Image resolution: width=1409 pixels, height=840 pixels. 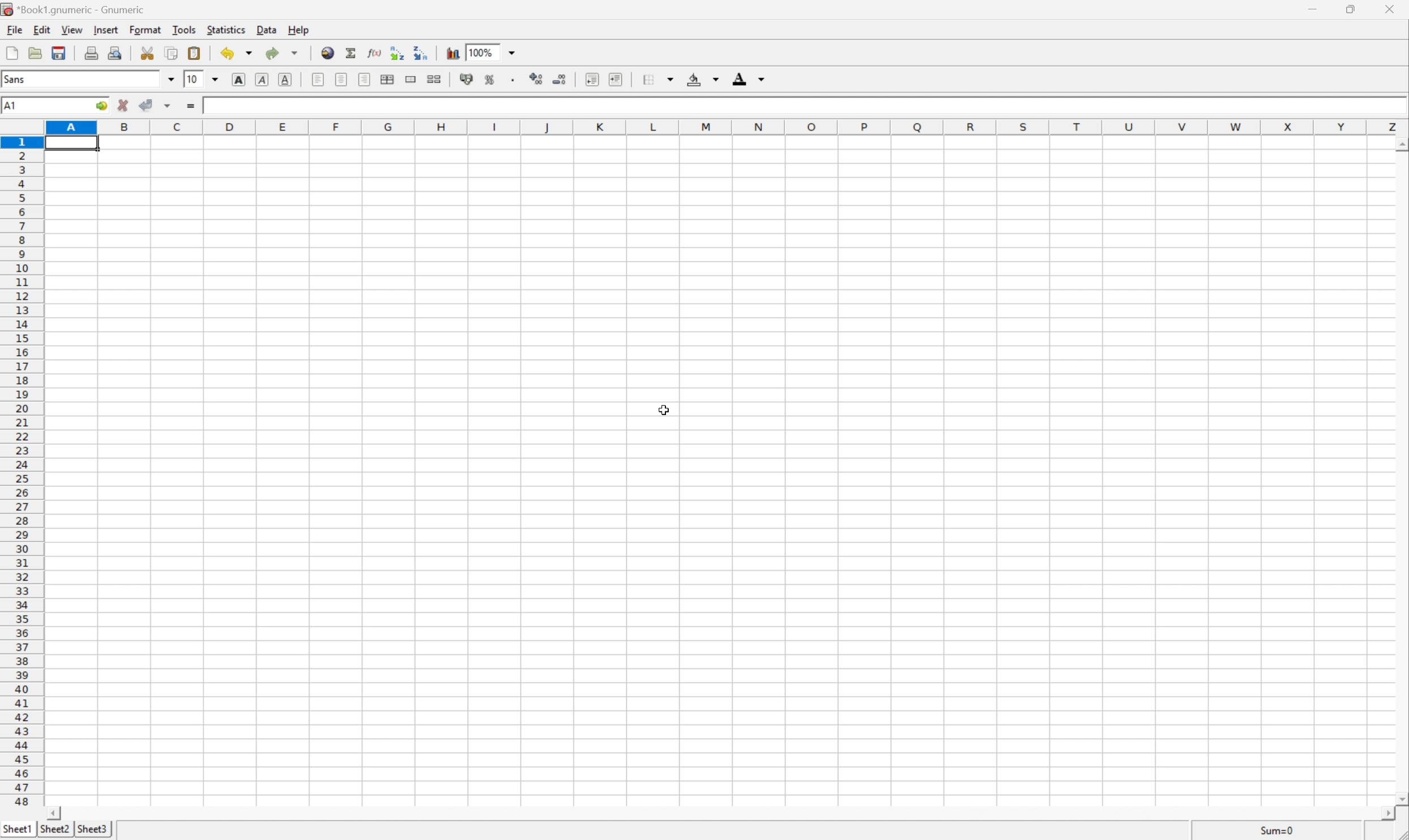 What do you see at coordinates (215, 79) in the screenshot?
I see `Drop Down` at bounding box center [215, 79].